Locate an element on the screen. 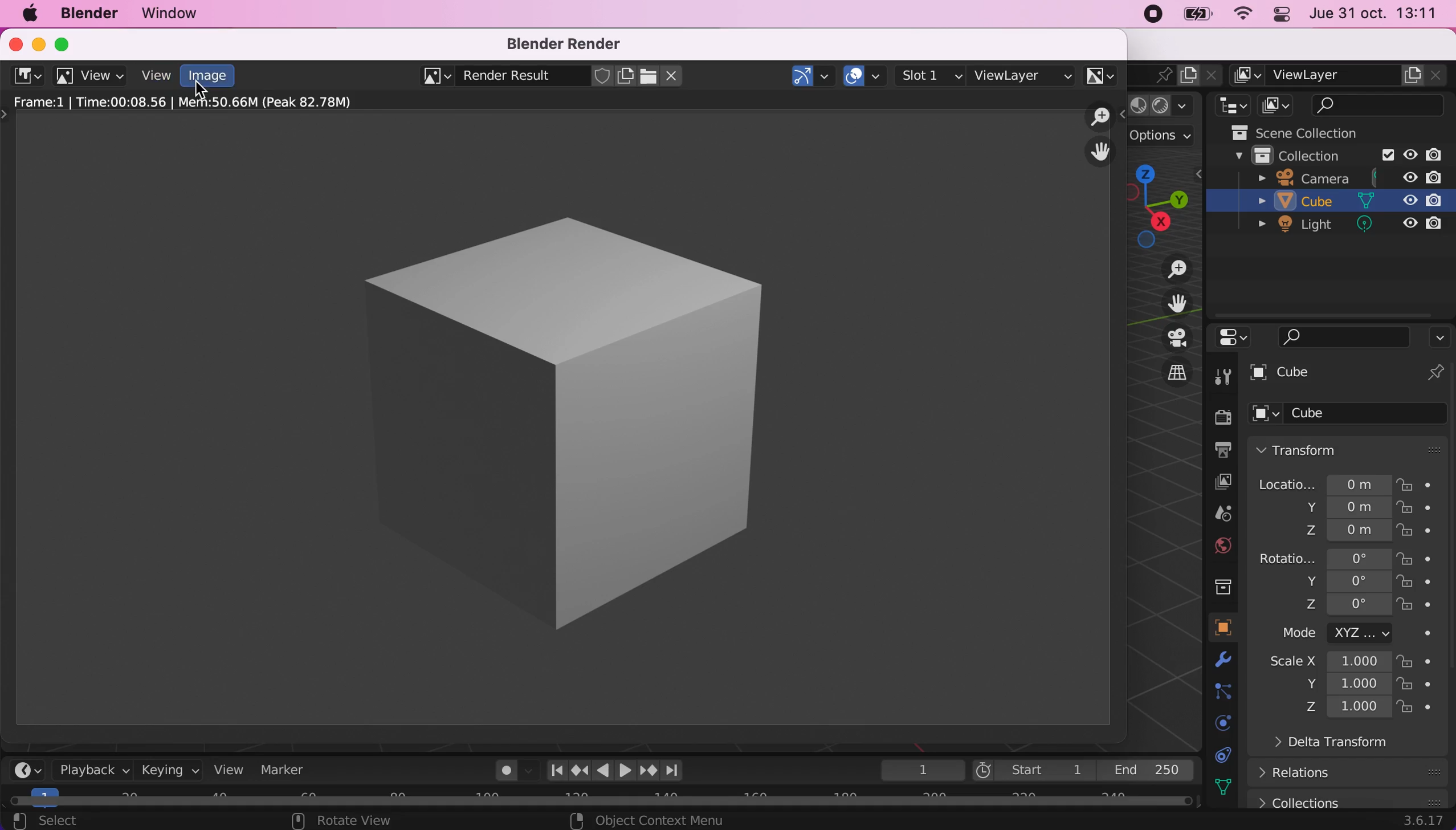 The height and width of the screenshot is (830, 1456). collections is located at coordinates (1348, 798).